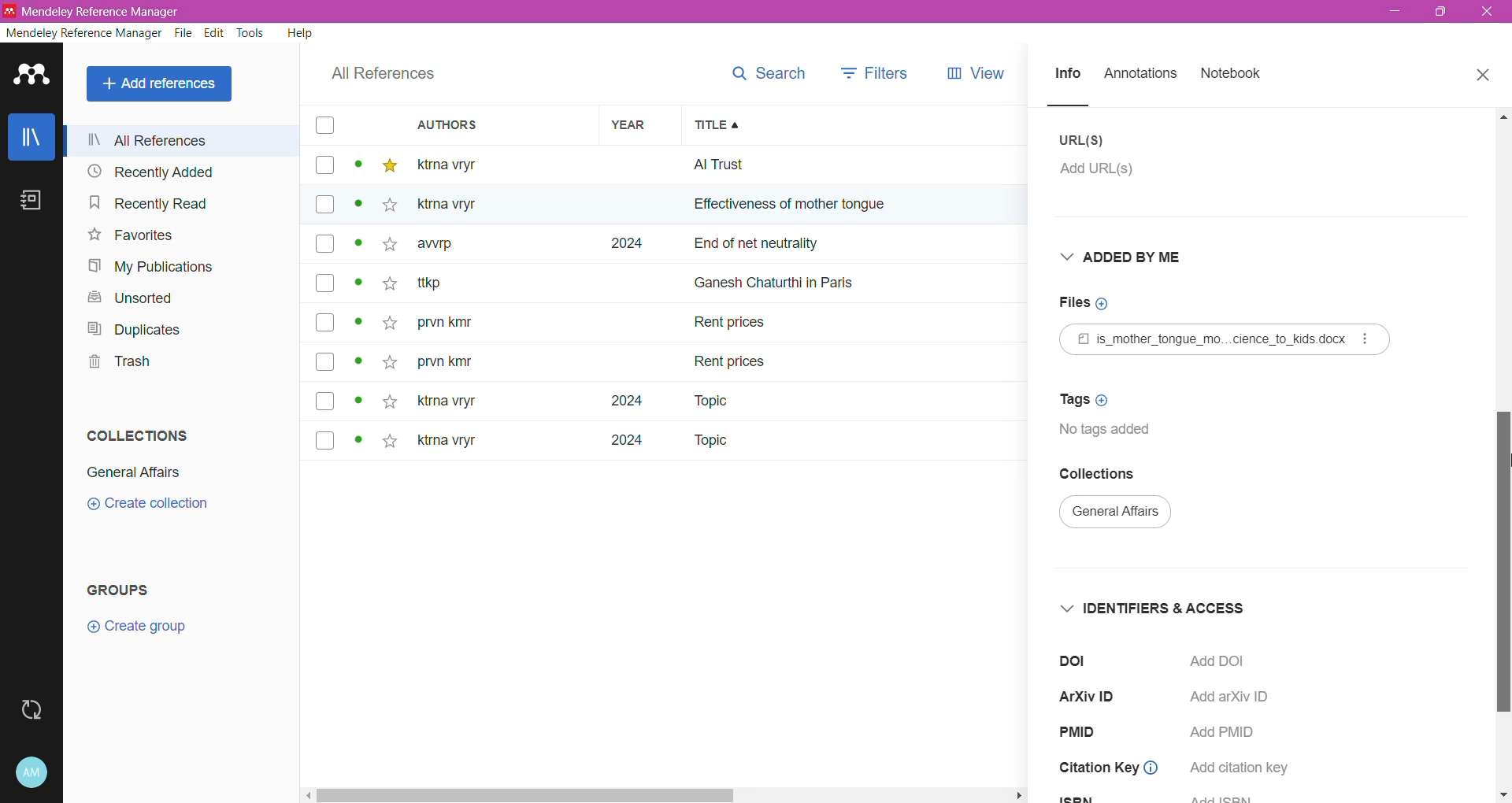 The width and height of the screenshot is (1512, 803). What do you see at coordinates (862, 246) in the screenshot?
I see `end of net neutrally ` at bounding box center [862, 246].